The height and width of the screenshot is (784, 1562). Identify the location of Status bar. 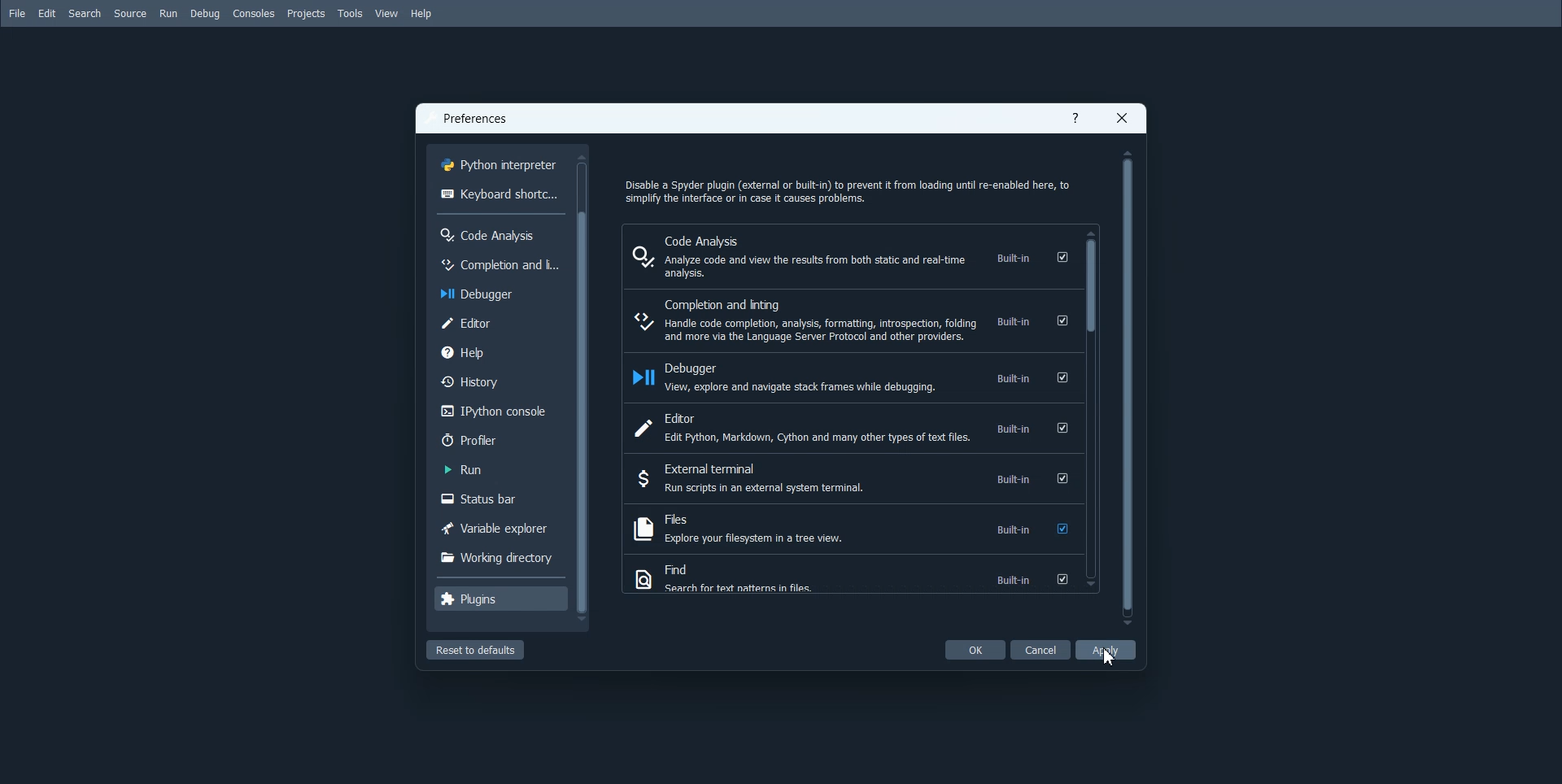
(497, 499).